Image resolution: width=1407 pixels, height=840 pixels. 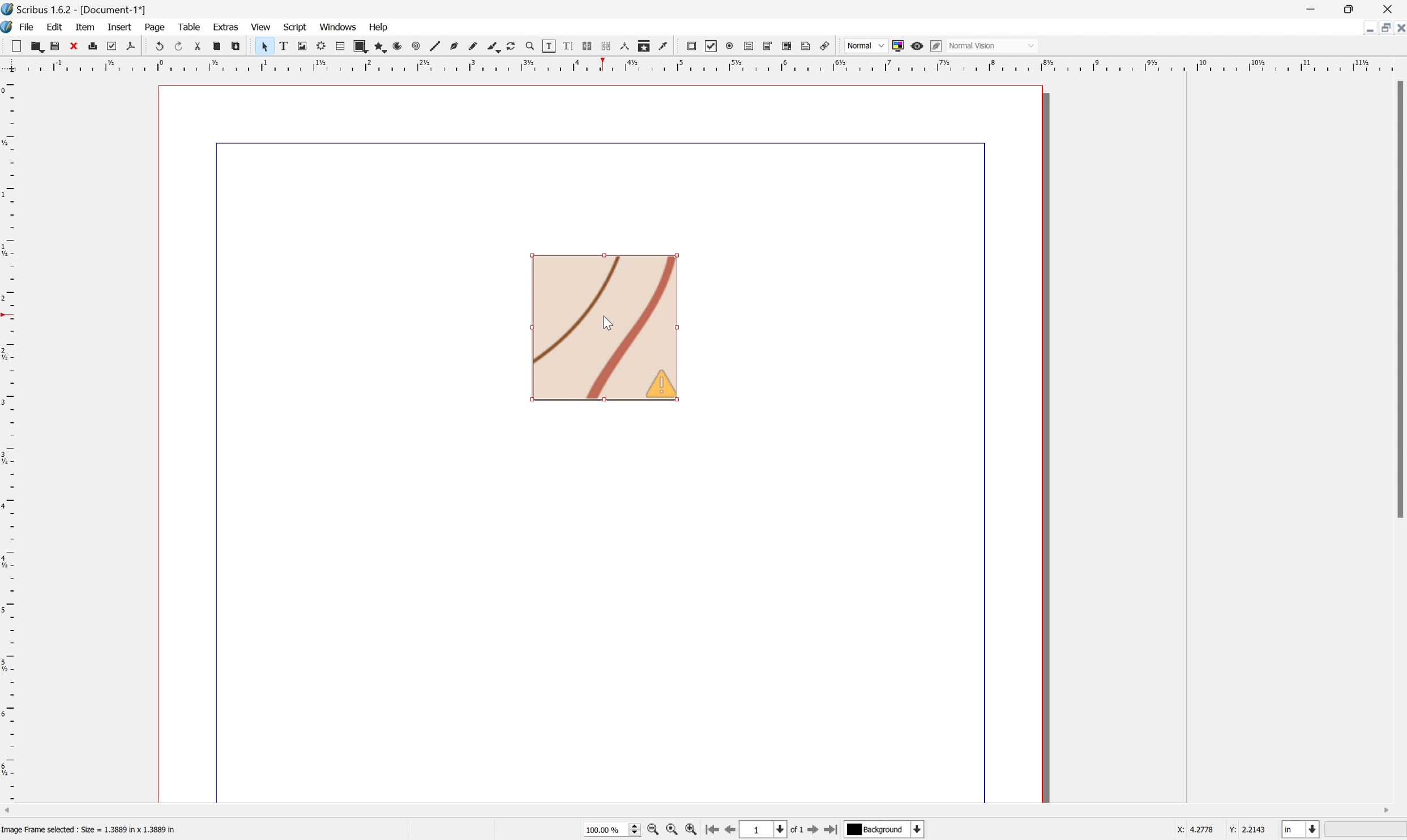 I want to click on Save, so click(x=56, y=45).